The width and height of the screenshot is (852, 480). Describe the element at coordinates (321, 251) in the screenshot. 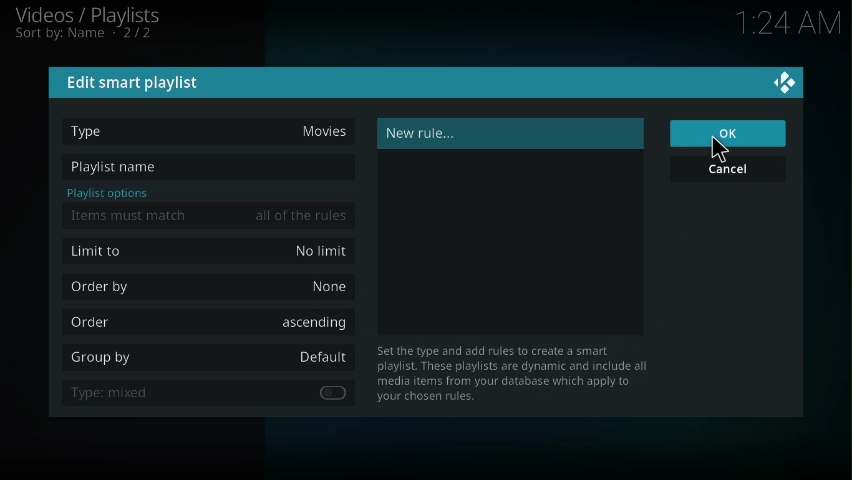

I see `no limit` at that location.